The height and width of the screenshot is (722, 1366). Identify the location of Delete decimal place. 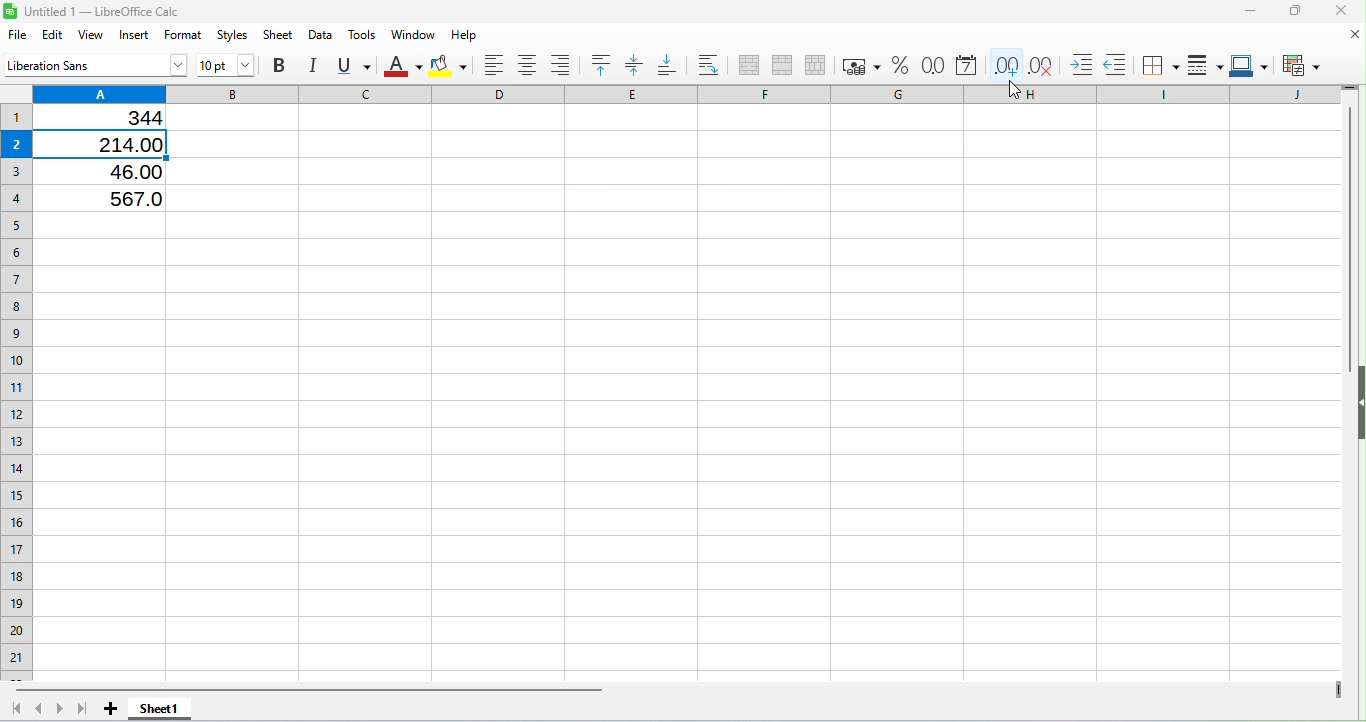
(1041, 62).